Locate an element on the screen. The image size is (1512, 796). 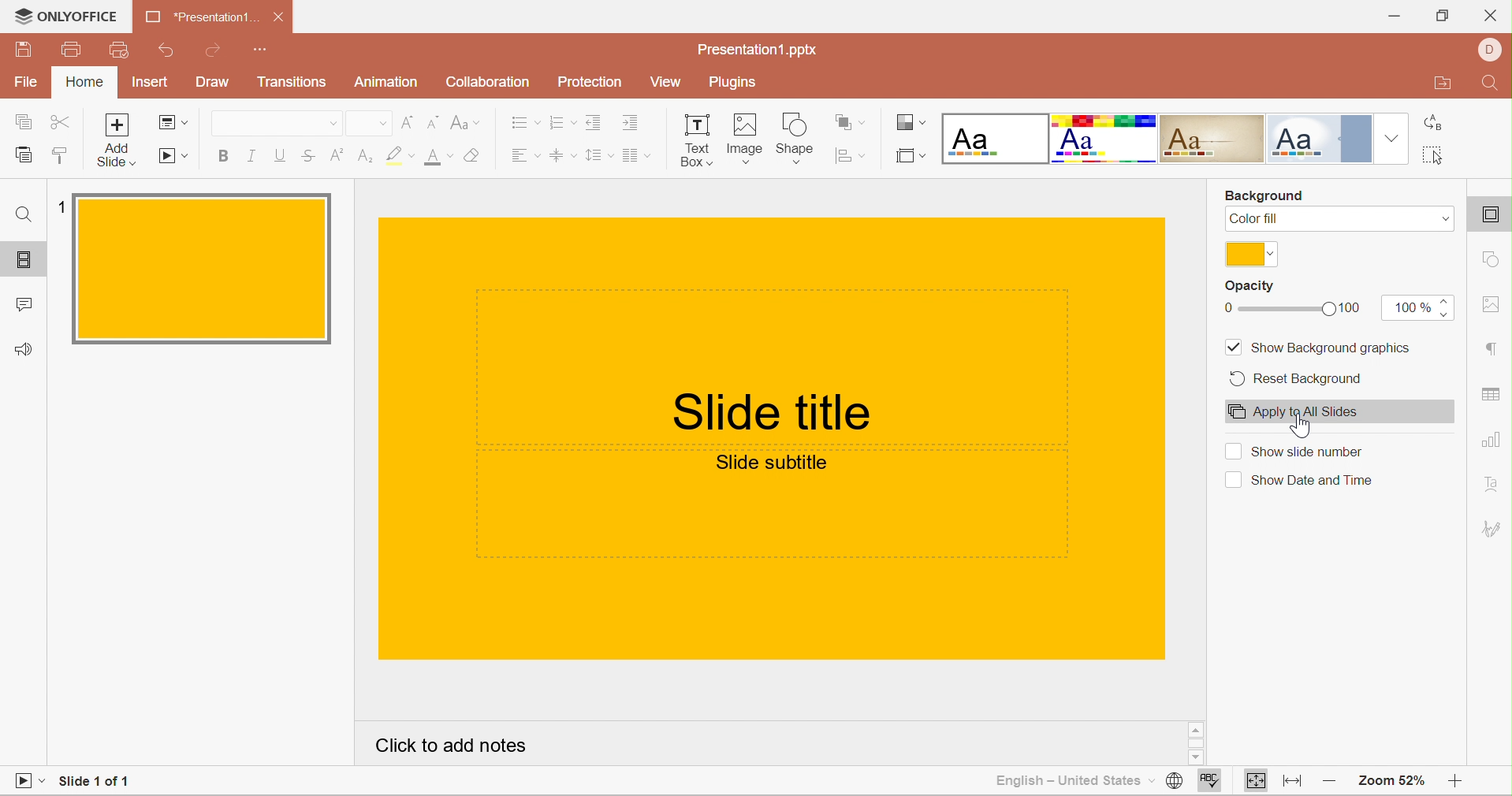
Find is located at coordinates (24, 215).